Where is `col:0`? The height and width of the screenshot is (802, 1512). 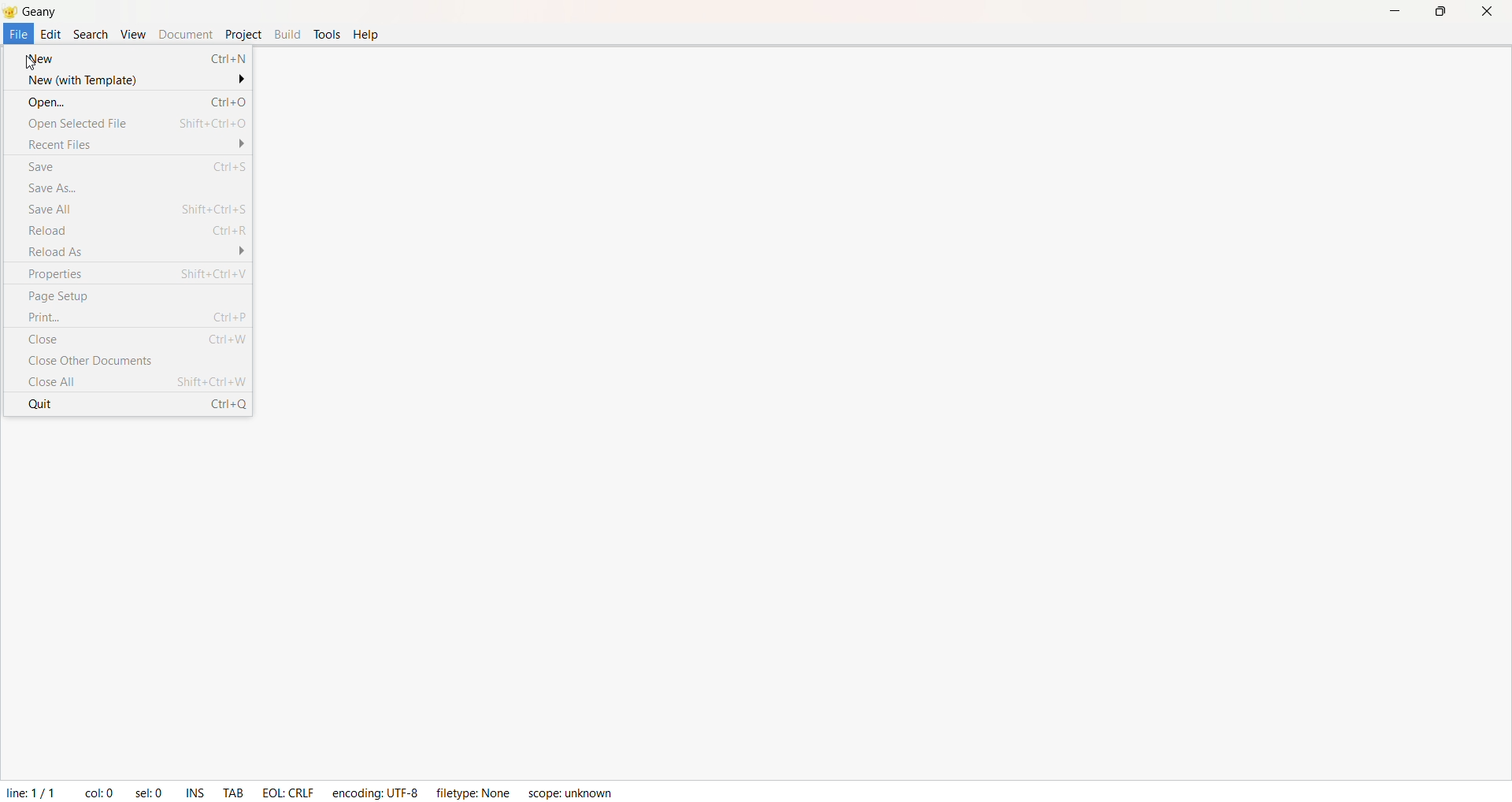 col:0 is located at coordinates (100, 788).